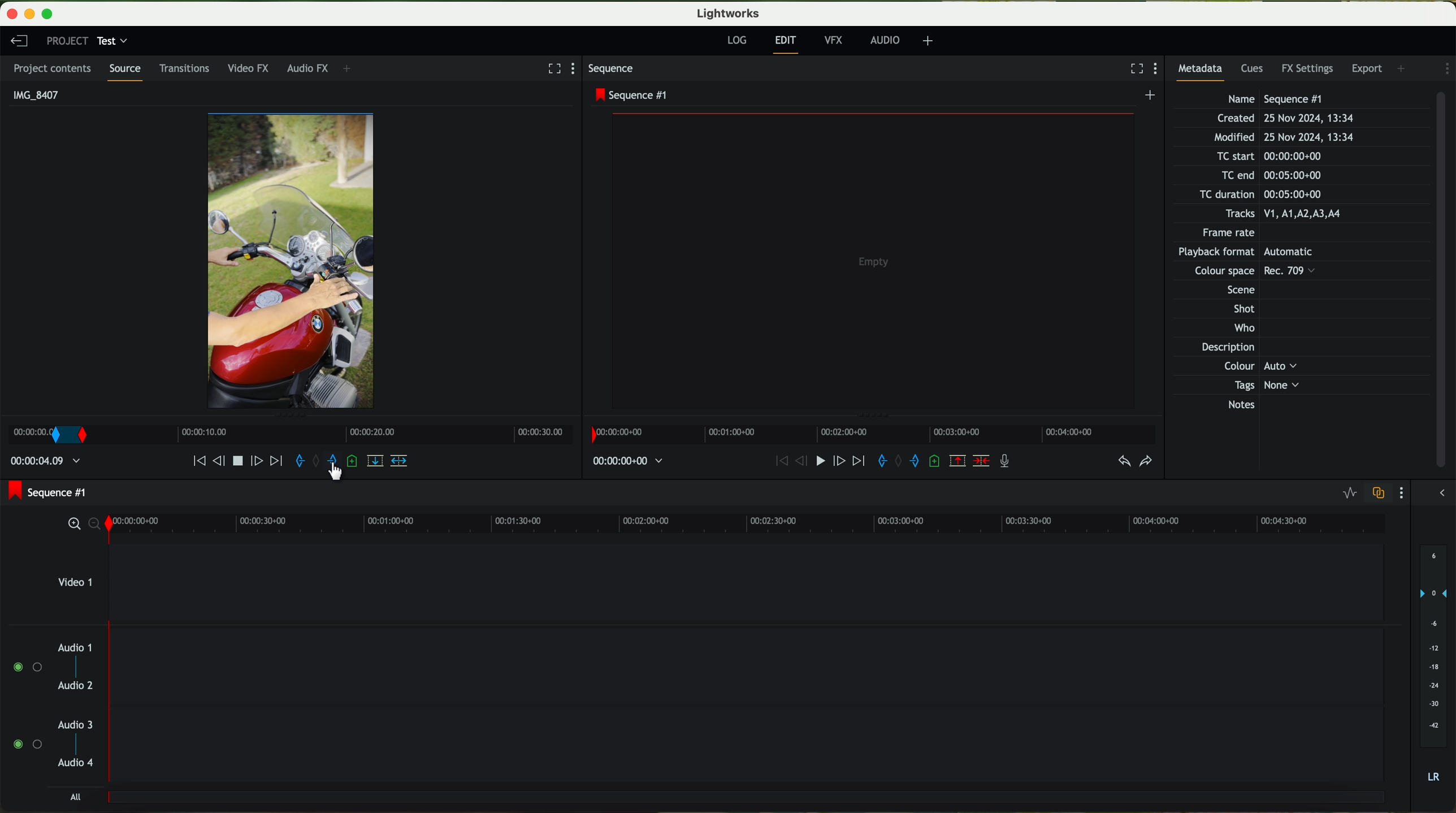  What do you see at coordinates (1242, 329) in the screenshot?
I see `Who` at bounding box center [1242, 329].